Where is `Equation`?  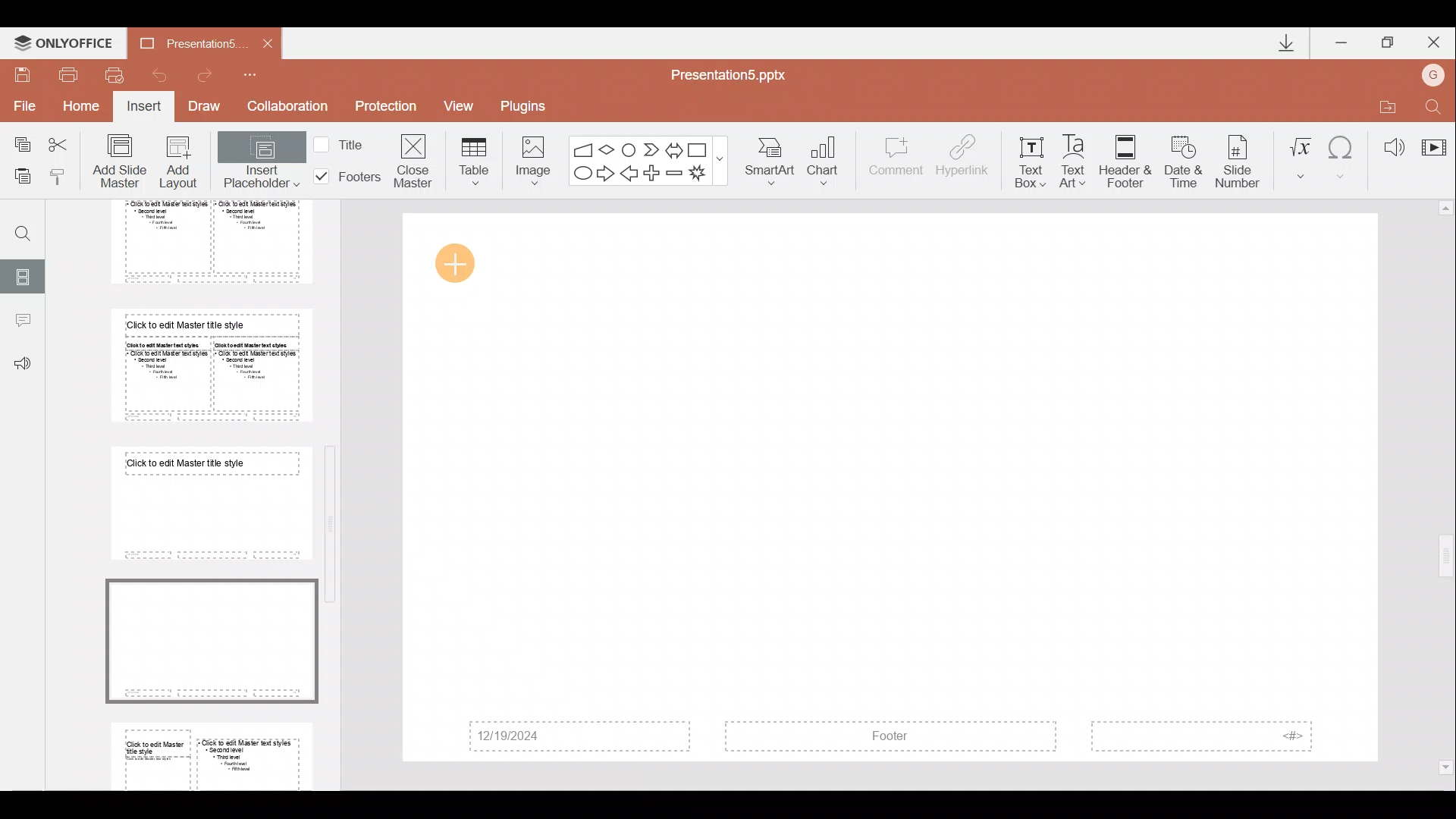 Equation is located at coordinates (1300, 155).